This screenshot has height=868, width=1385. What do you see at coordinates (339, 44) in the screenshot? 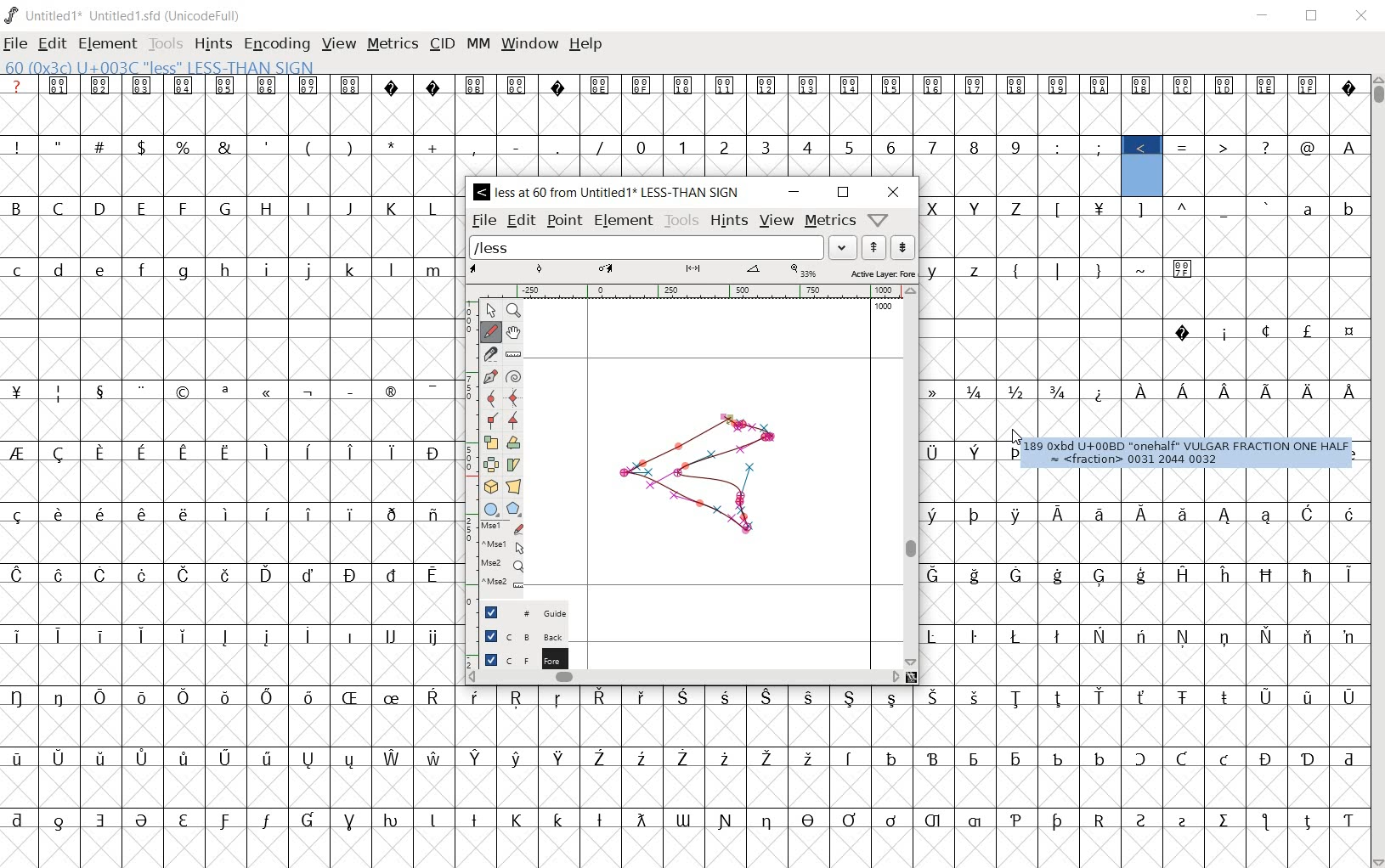
I see `view` at bounding box center [339, 44].